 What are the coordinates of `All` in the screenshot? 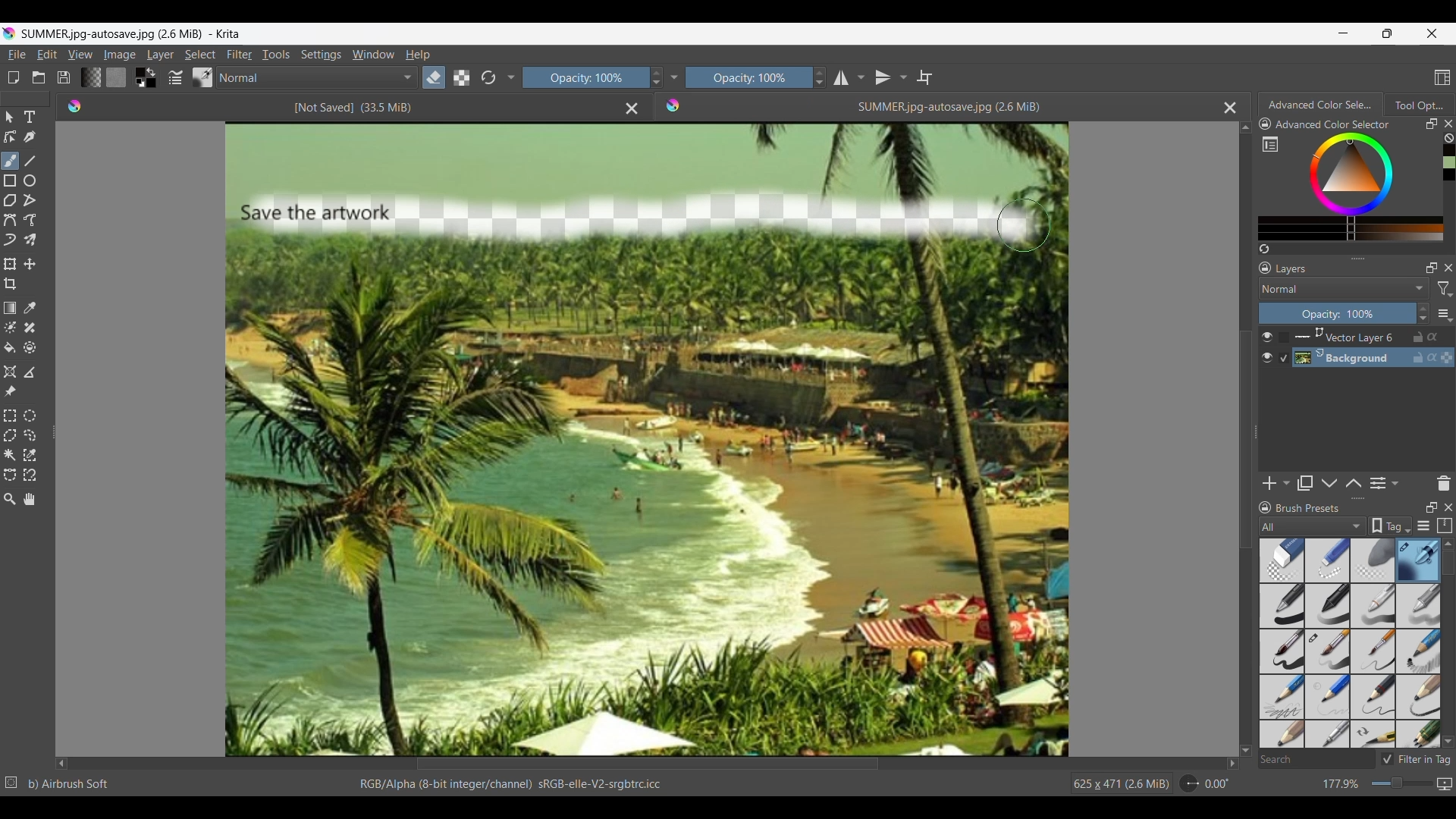 It's located at (1312, 526).